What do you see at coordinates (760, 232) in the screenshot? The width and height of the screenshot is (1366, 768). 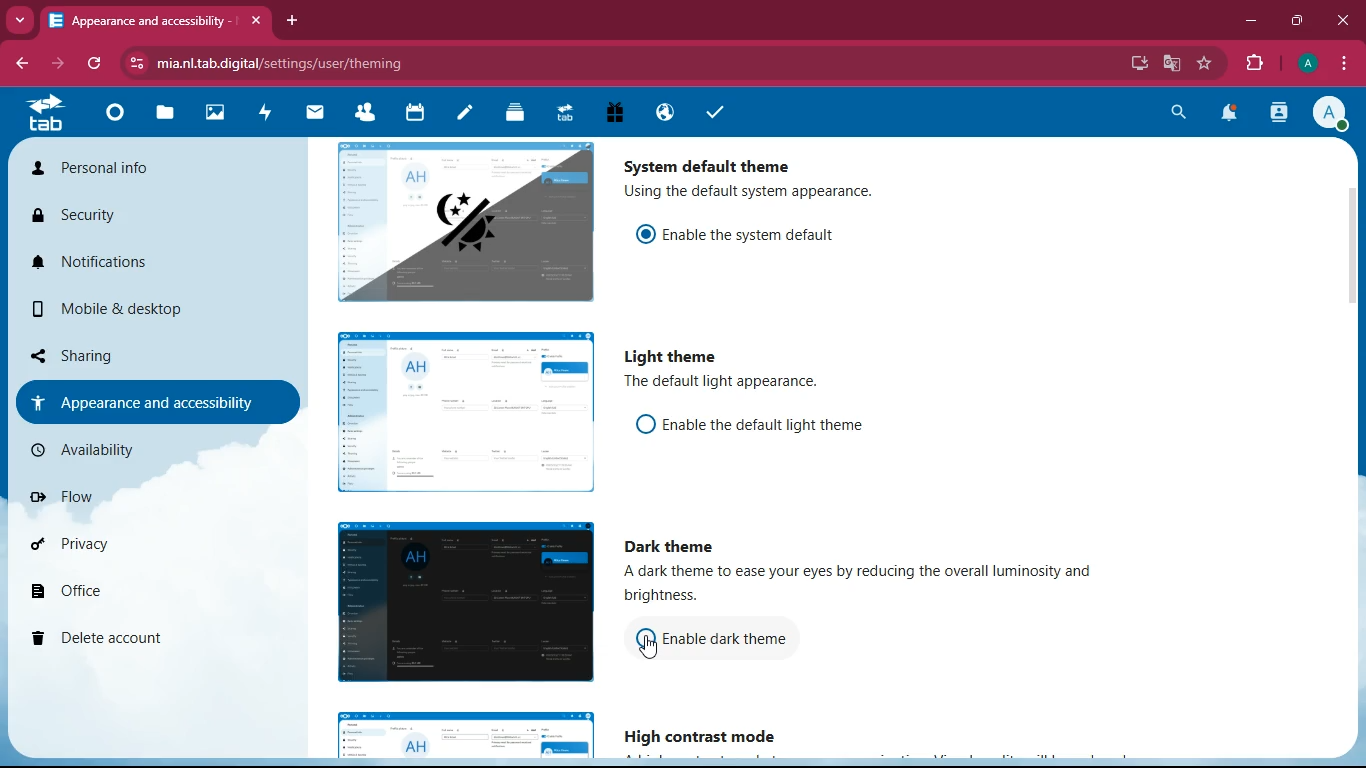 I see `enable` at bounding box center [760, 232].